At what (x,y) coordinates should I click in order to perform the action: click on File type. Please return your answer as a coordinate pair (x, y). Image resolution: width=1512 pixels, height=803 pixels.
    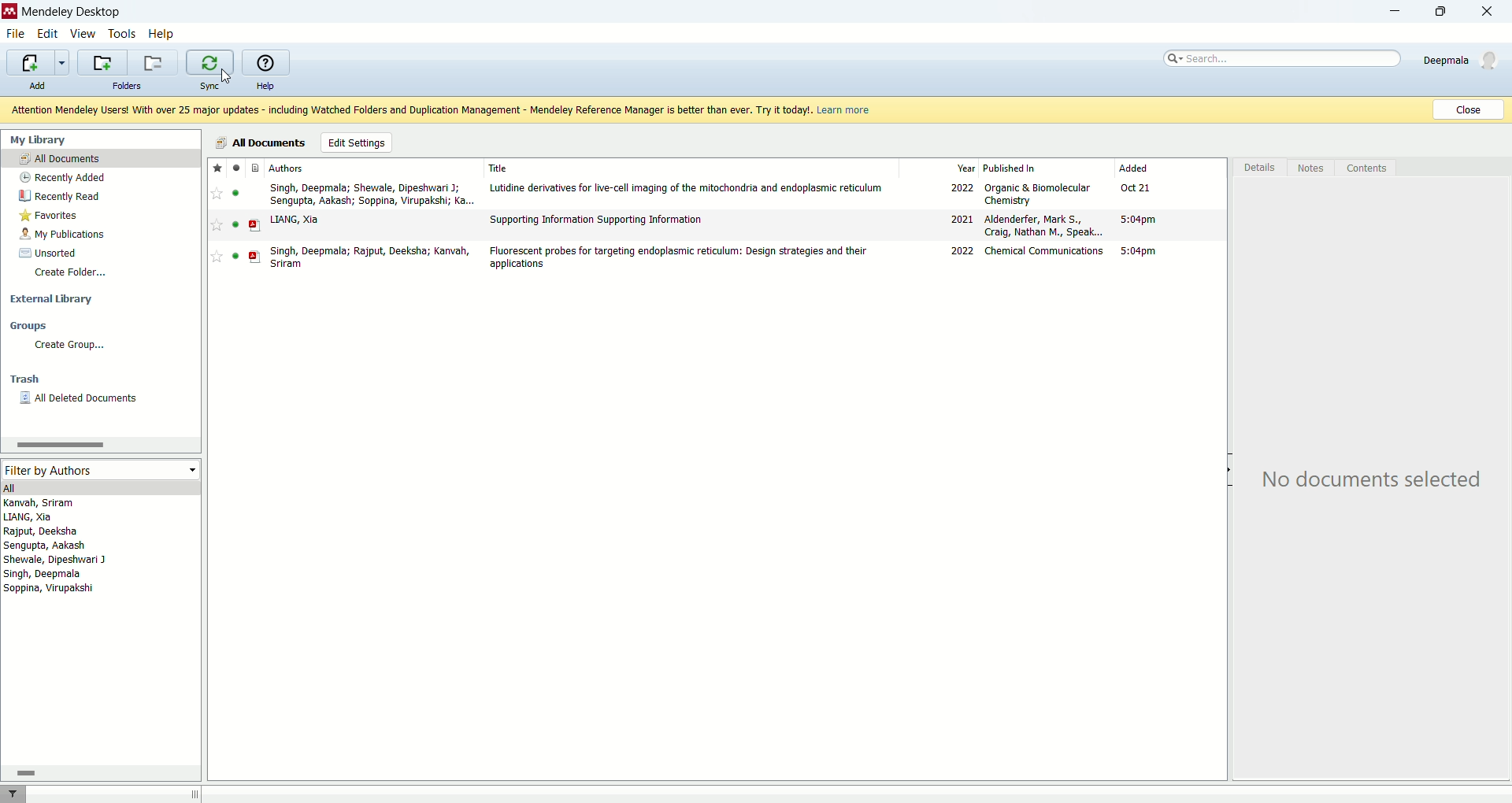
    Looking at the image, I should click on (256, 168).